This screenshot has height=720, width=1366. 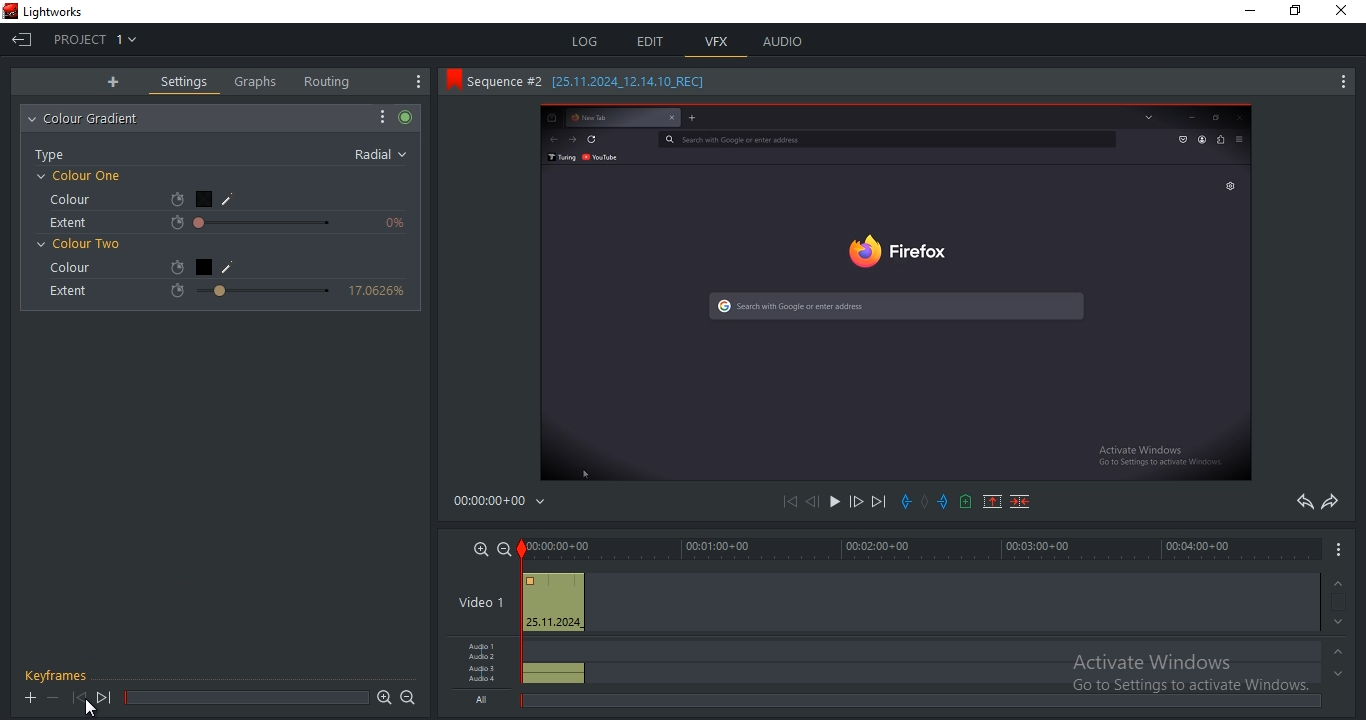 I want to click on nudge one frame back, so click(x=810, y=501).